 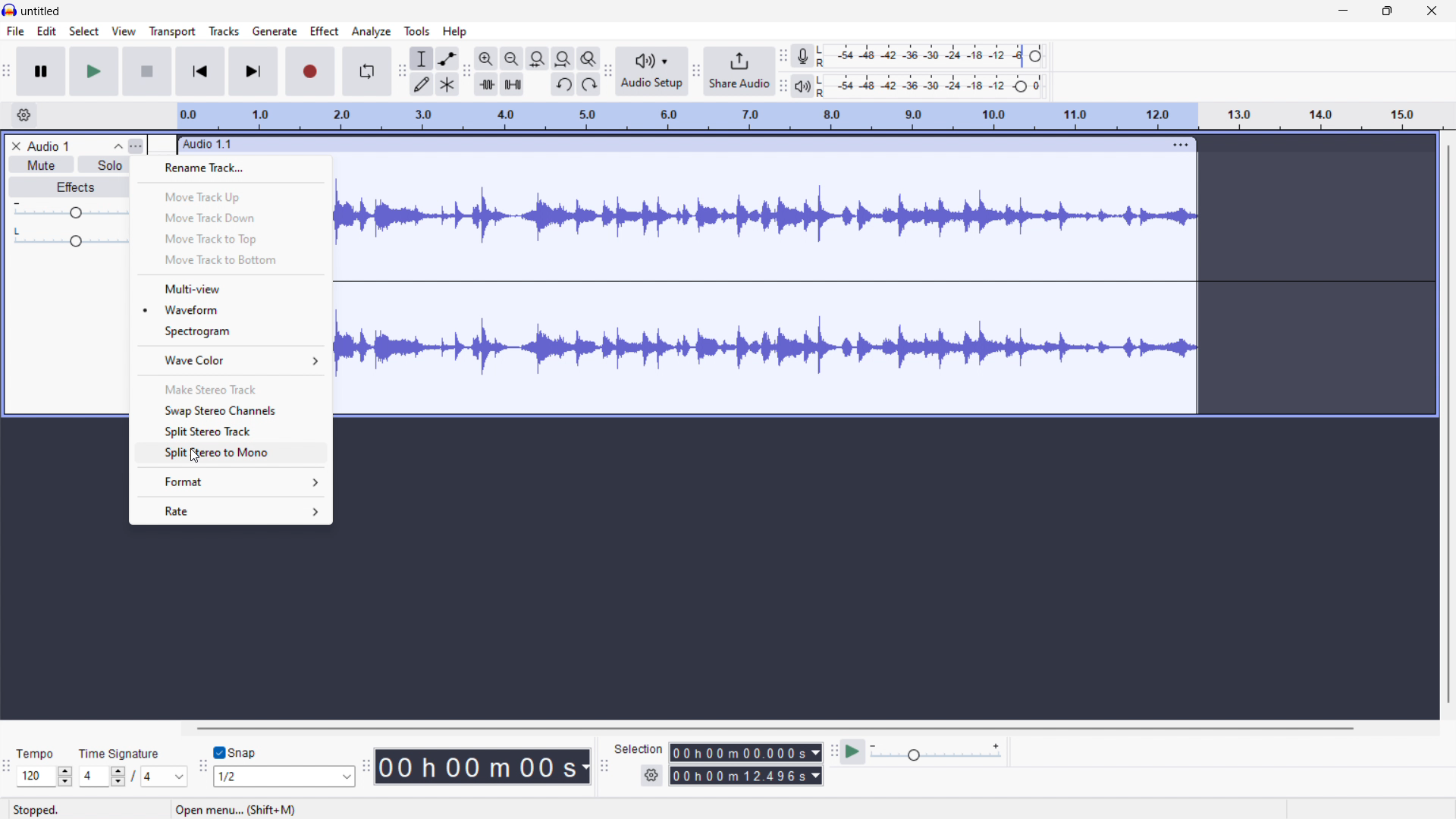 I want to click on redo, so click(x=588, y=84).